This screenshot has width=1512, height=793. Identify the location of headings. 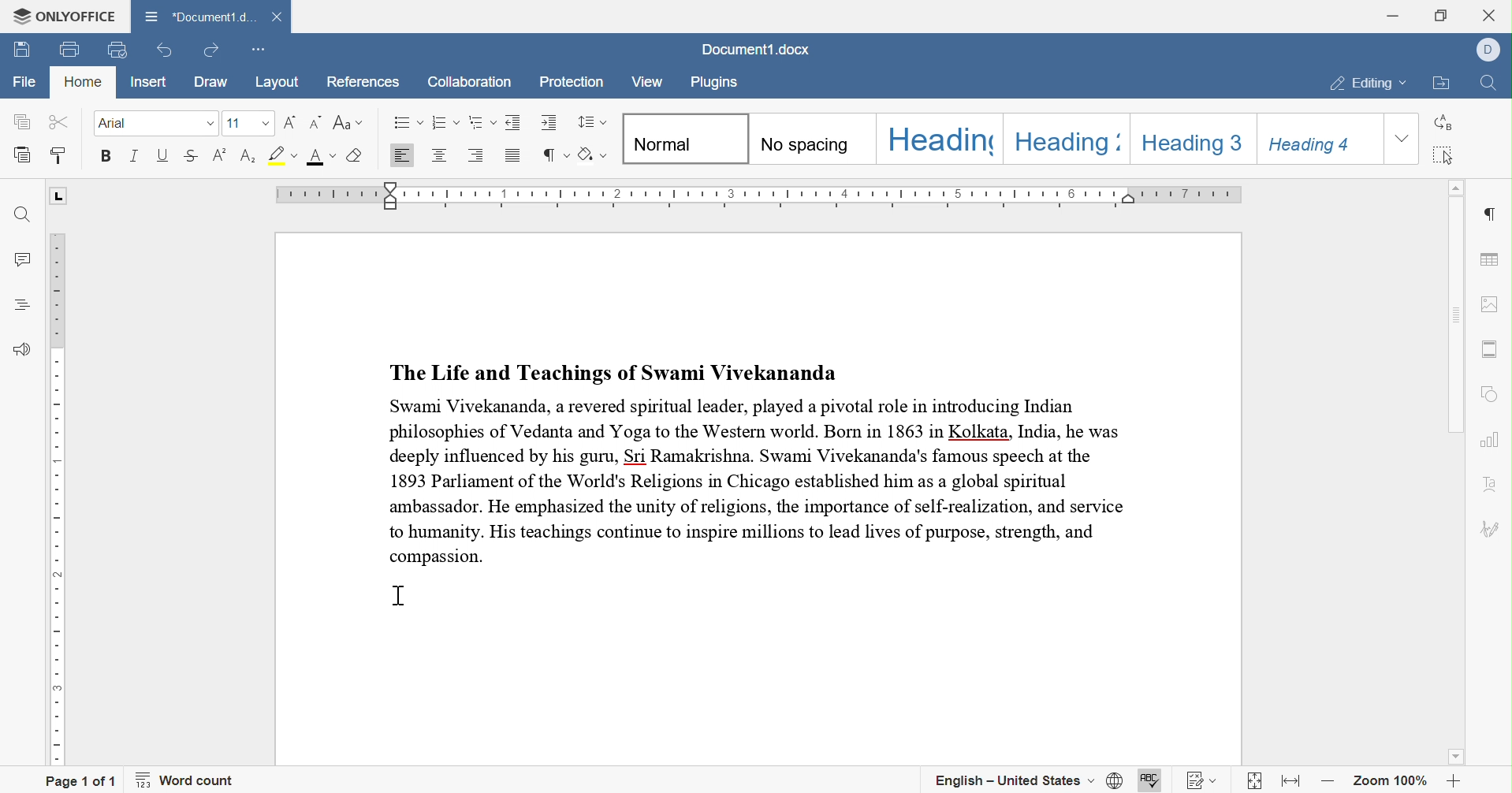
(24, 304).